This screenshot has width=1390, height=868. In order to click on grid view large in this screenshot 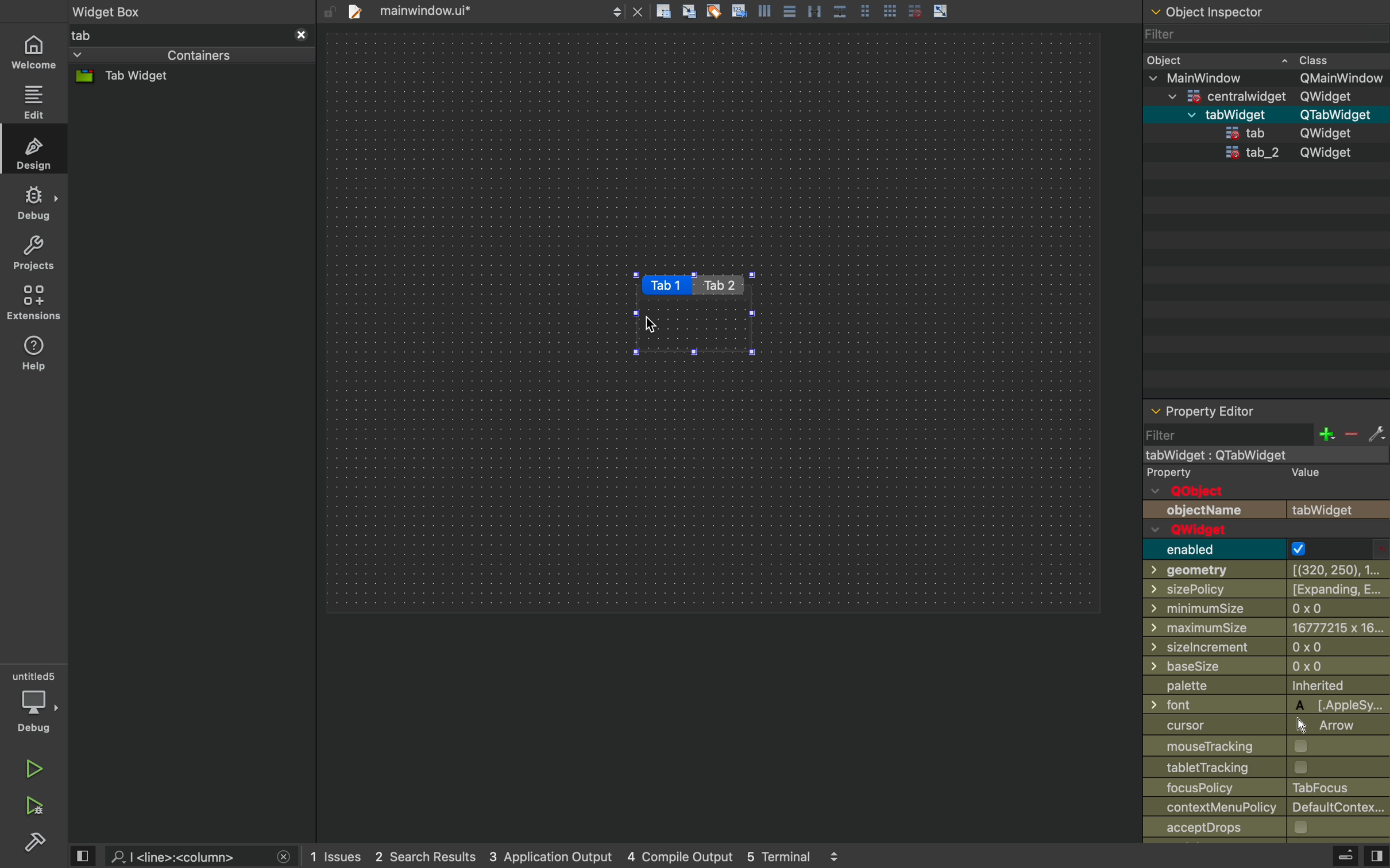, I will do `click(889, 10)`.